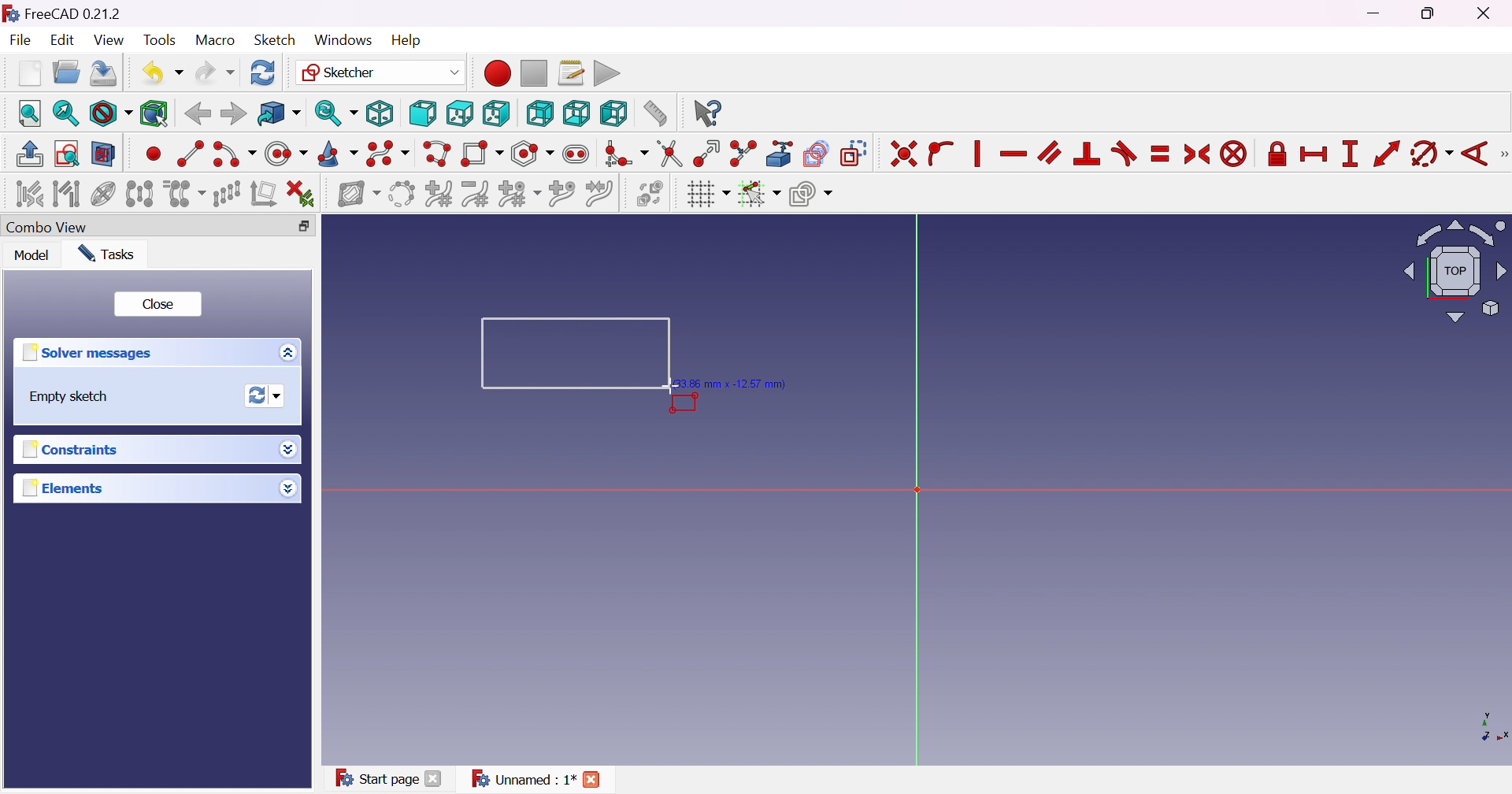 This screenshot has height=794, width=1512. I want to click on Close, so click(1487, 14).